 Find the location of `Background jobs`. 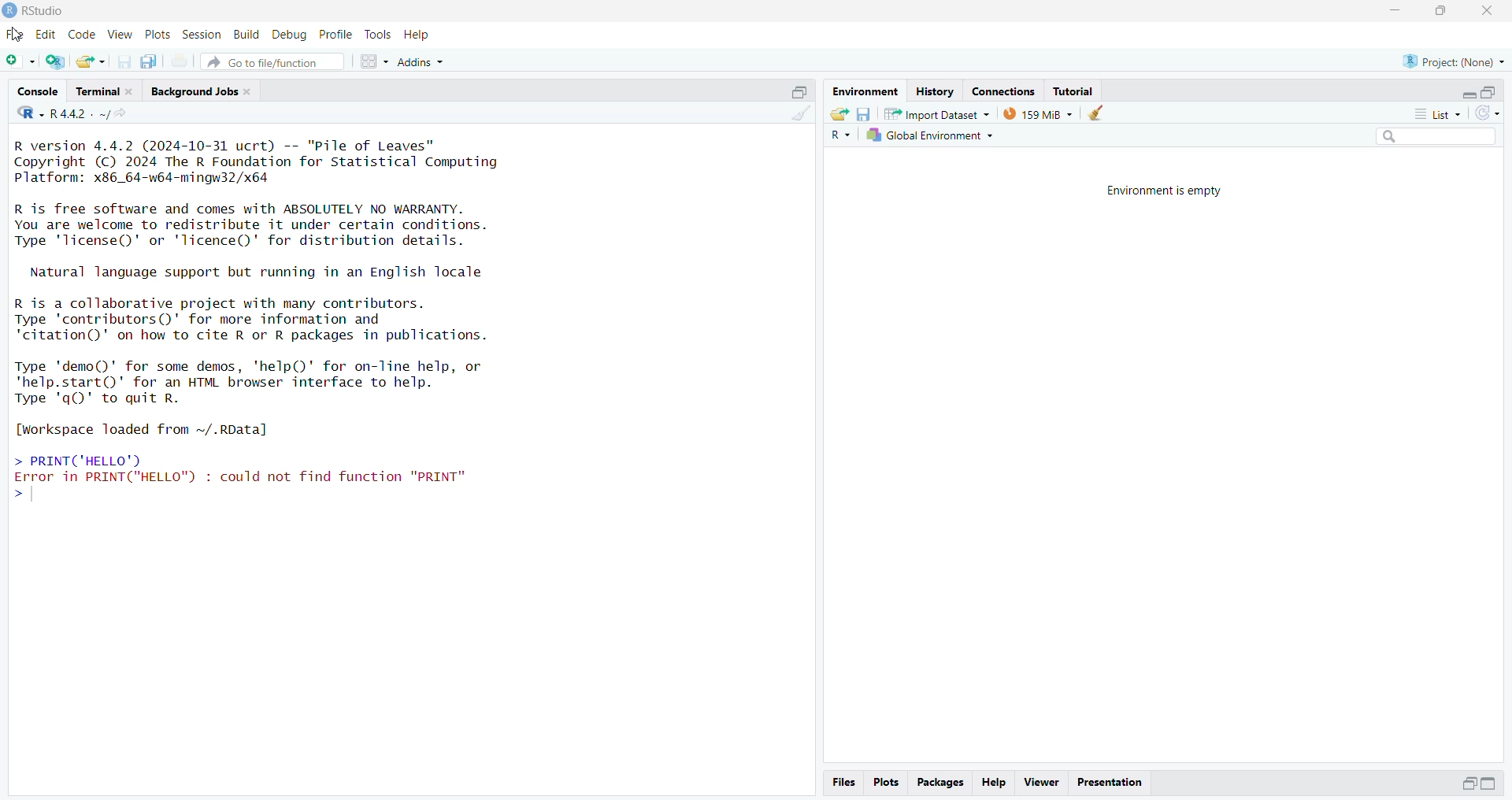

Background jobs is located at coordinates (202, 91).